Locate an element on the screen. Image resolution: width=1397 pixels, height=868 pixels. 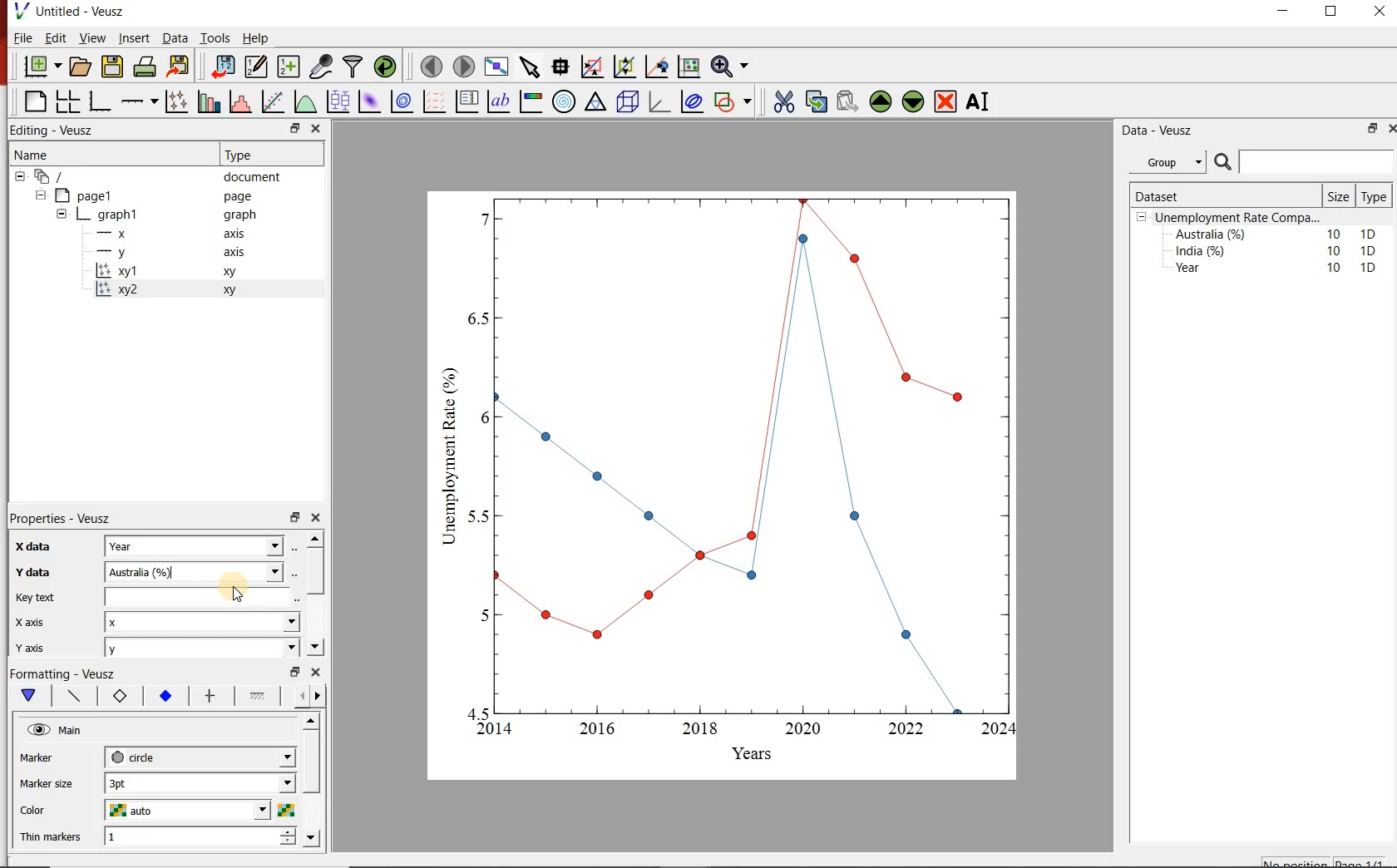
text label is located at coordinates (499, 101).